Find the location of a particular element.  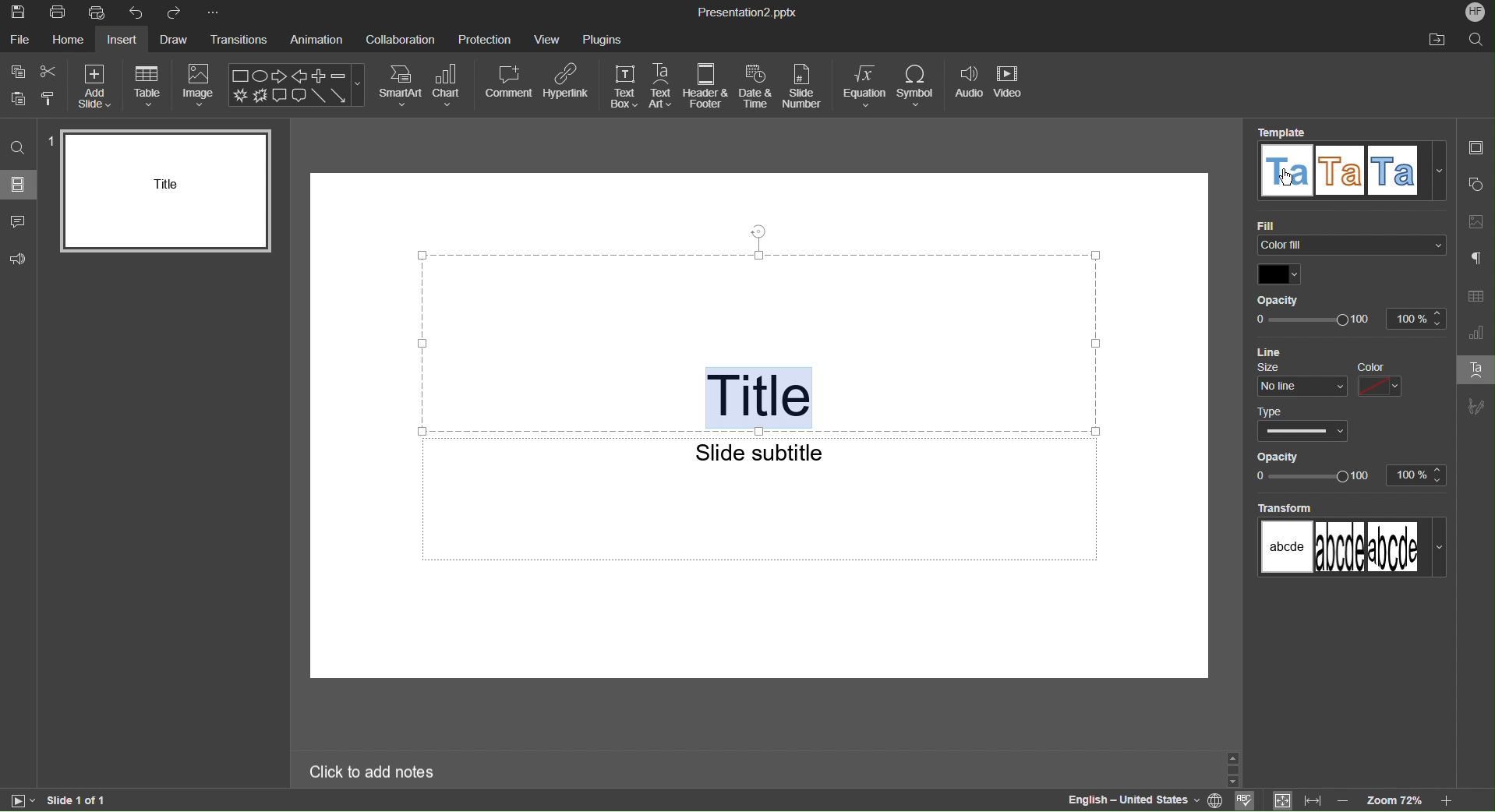

Table Settings is located at coordinates (1476, 296).